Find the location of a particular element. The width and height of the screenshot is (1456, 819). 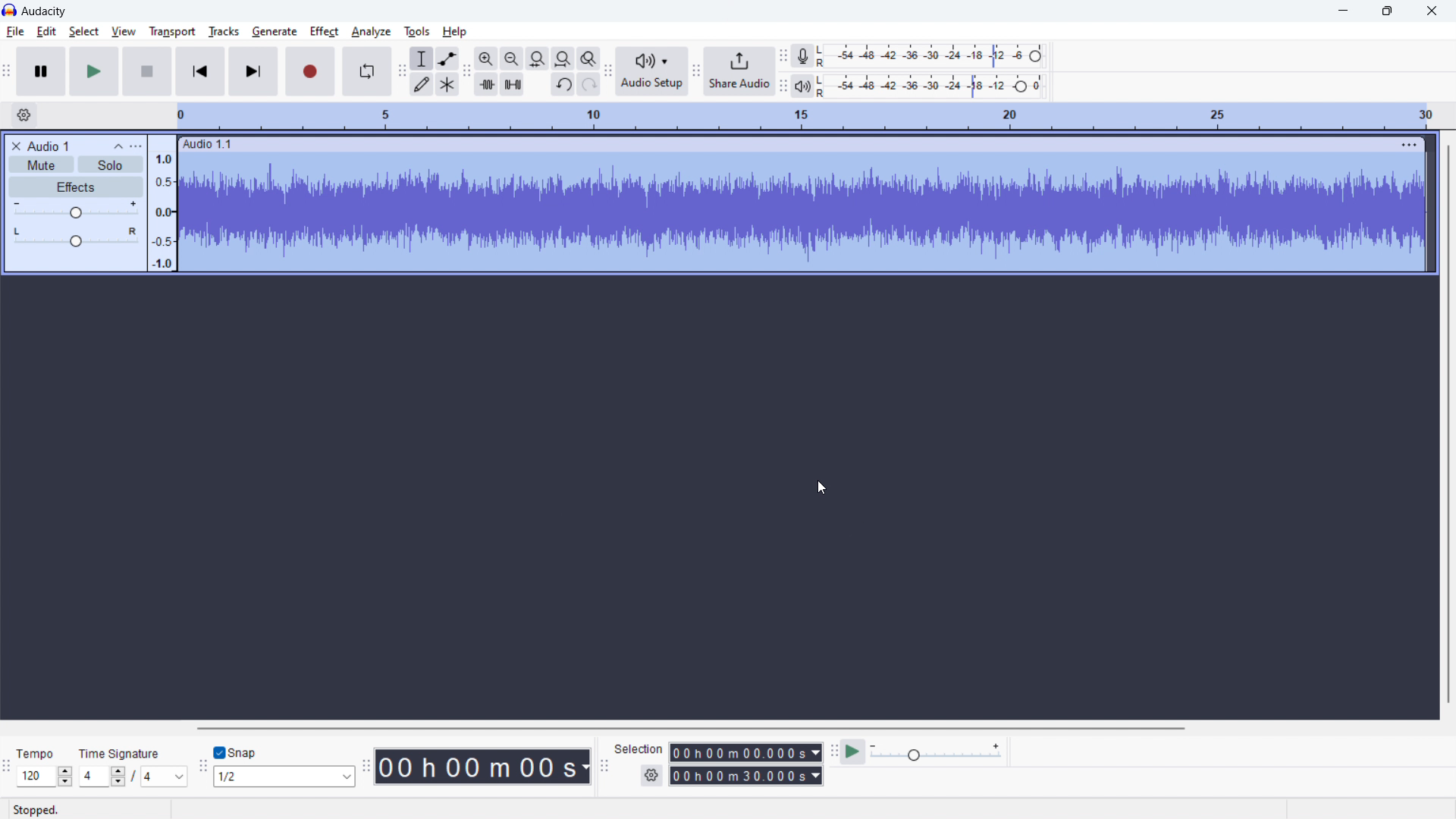

play is located at coordinates (94, 71).